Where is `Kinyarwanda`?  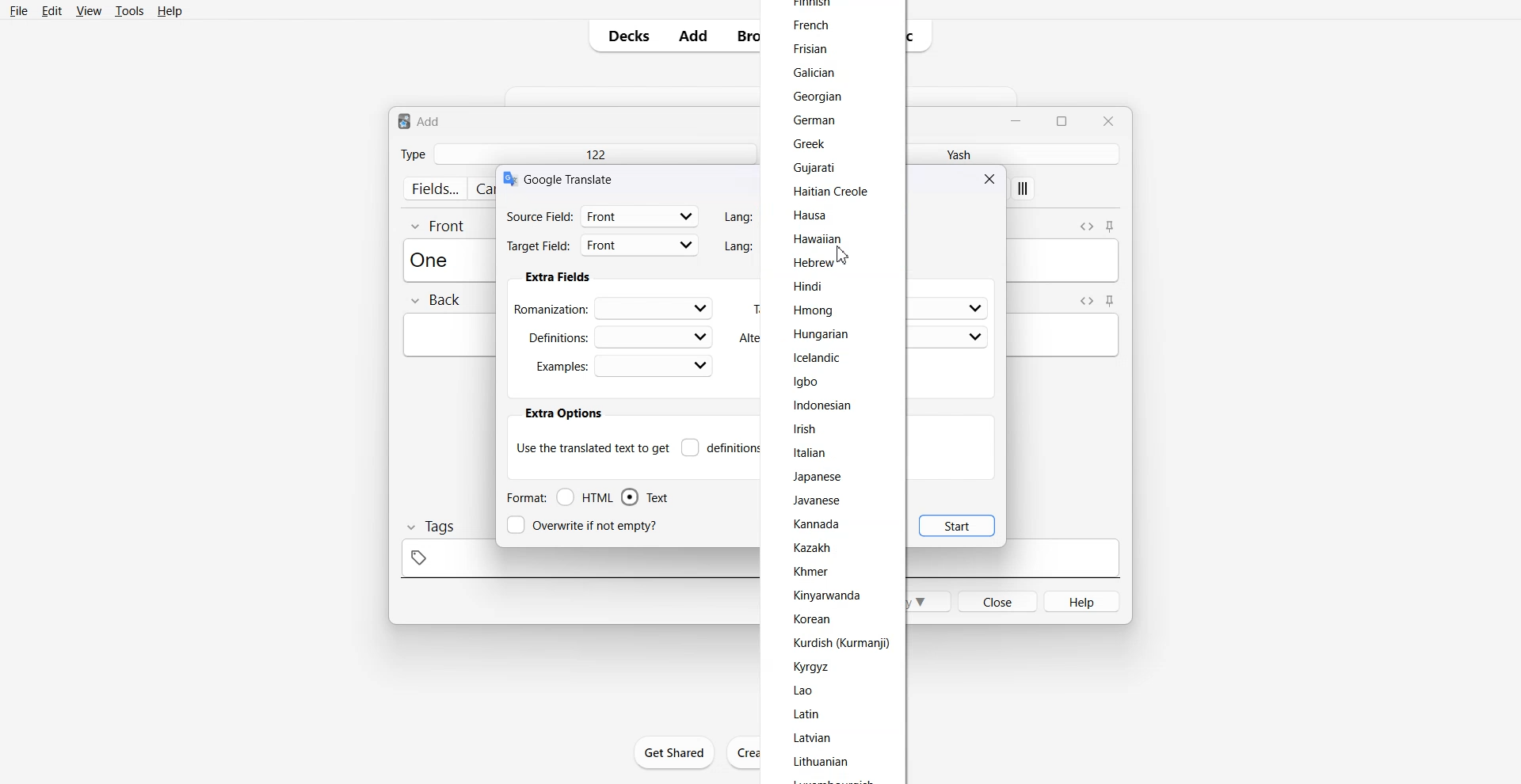 Kinyarwanda is located at coordinates (829, 595).